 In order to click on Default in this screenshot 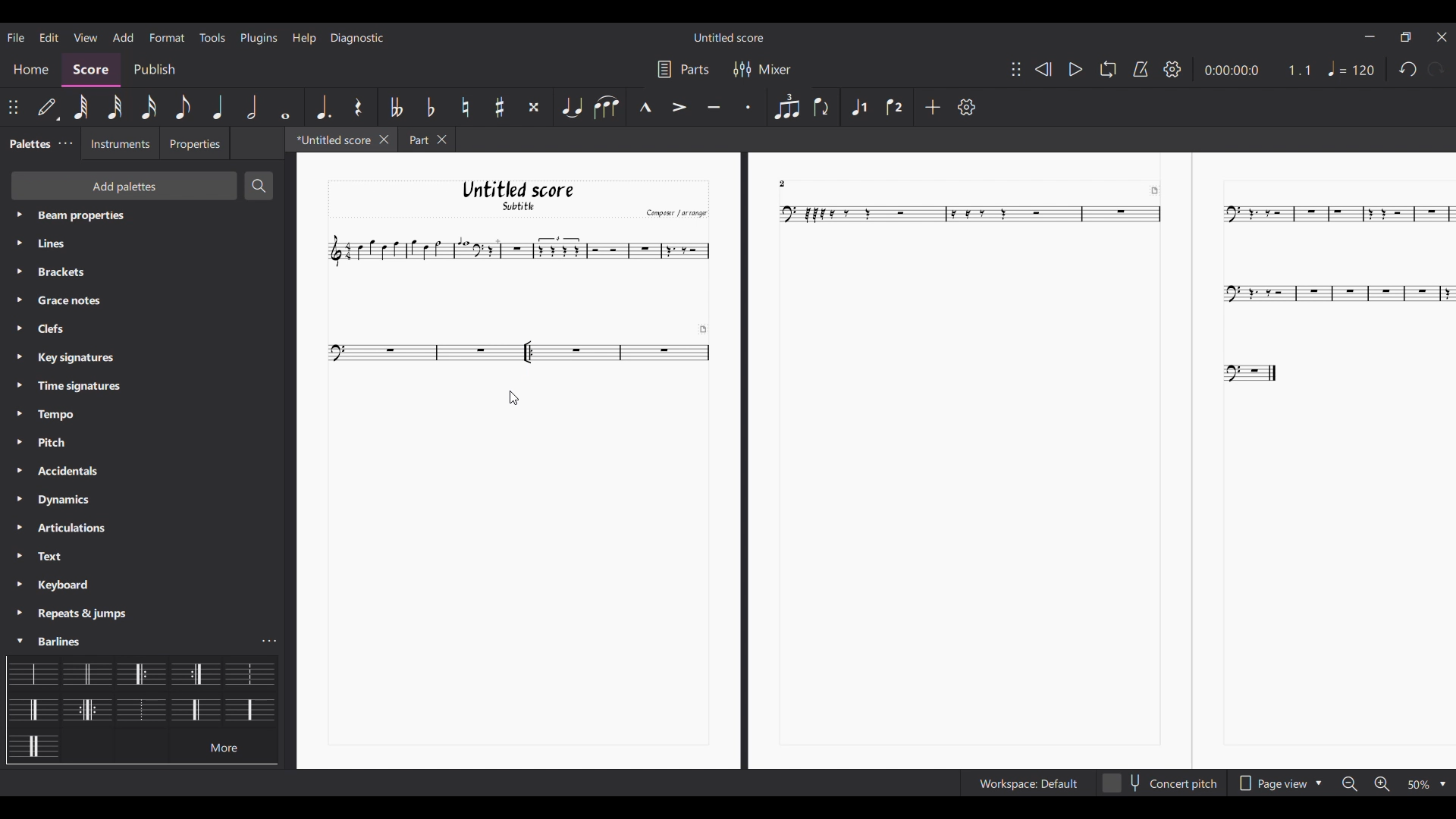, I will do `click(48, 108)`.